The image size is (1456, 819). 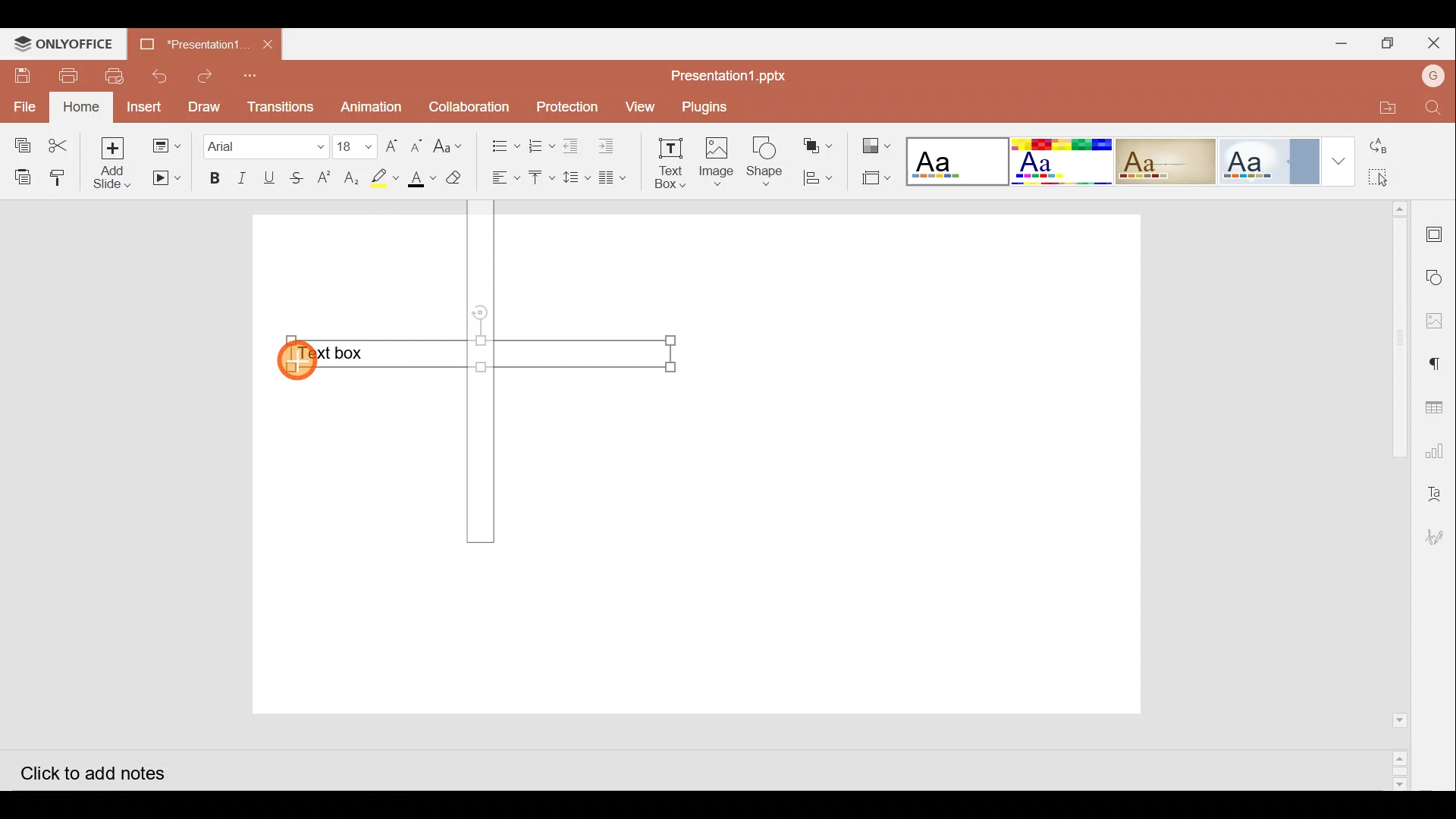 What do you see at coordinates (1057, 160) in the screenshot?
I see `Basic` at bounding box center [1057, 160].